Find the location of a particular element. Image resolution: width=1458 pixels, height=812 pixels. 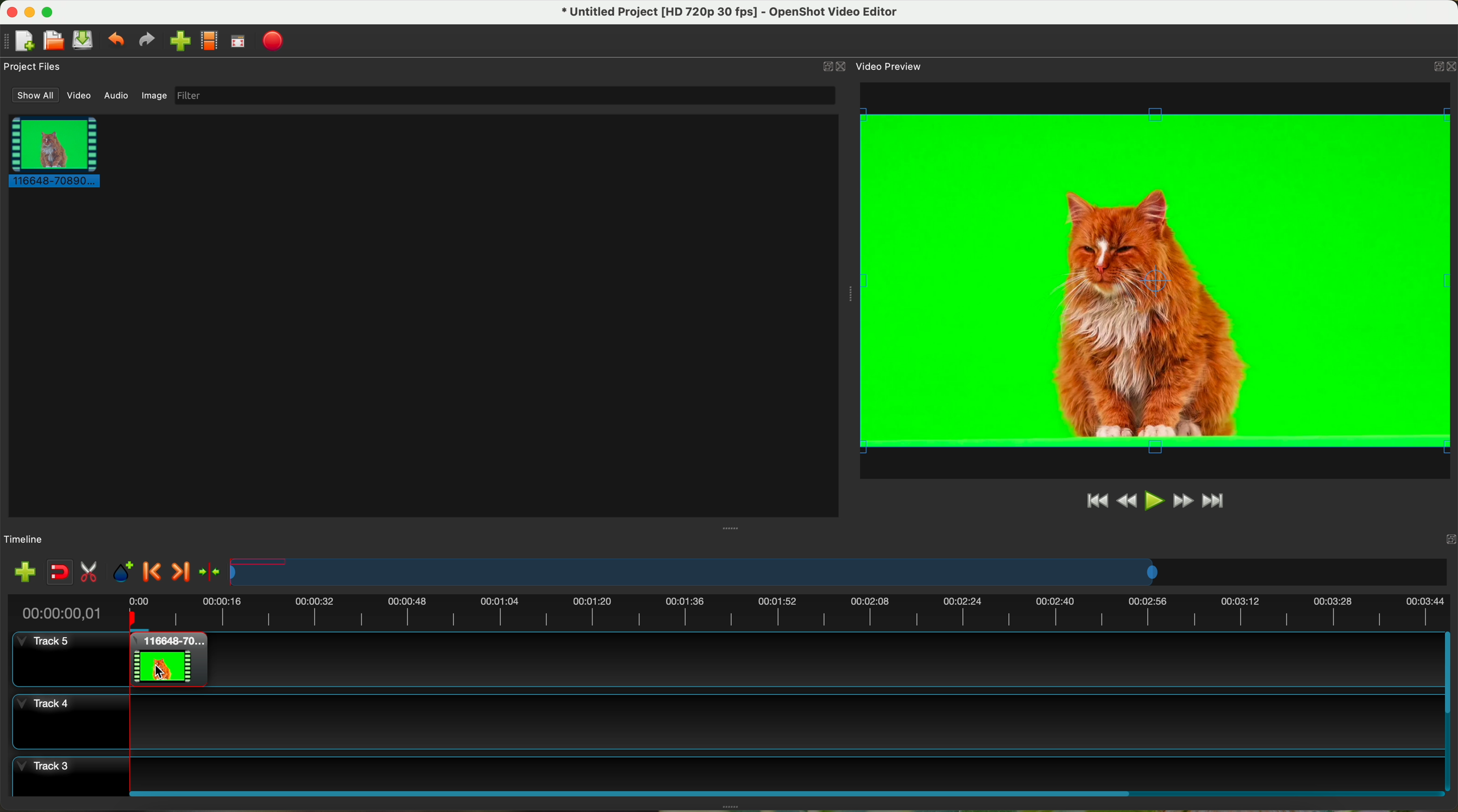

open project is located at coordinates (55, 40).